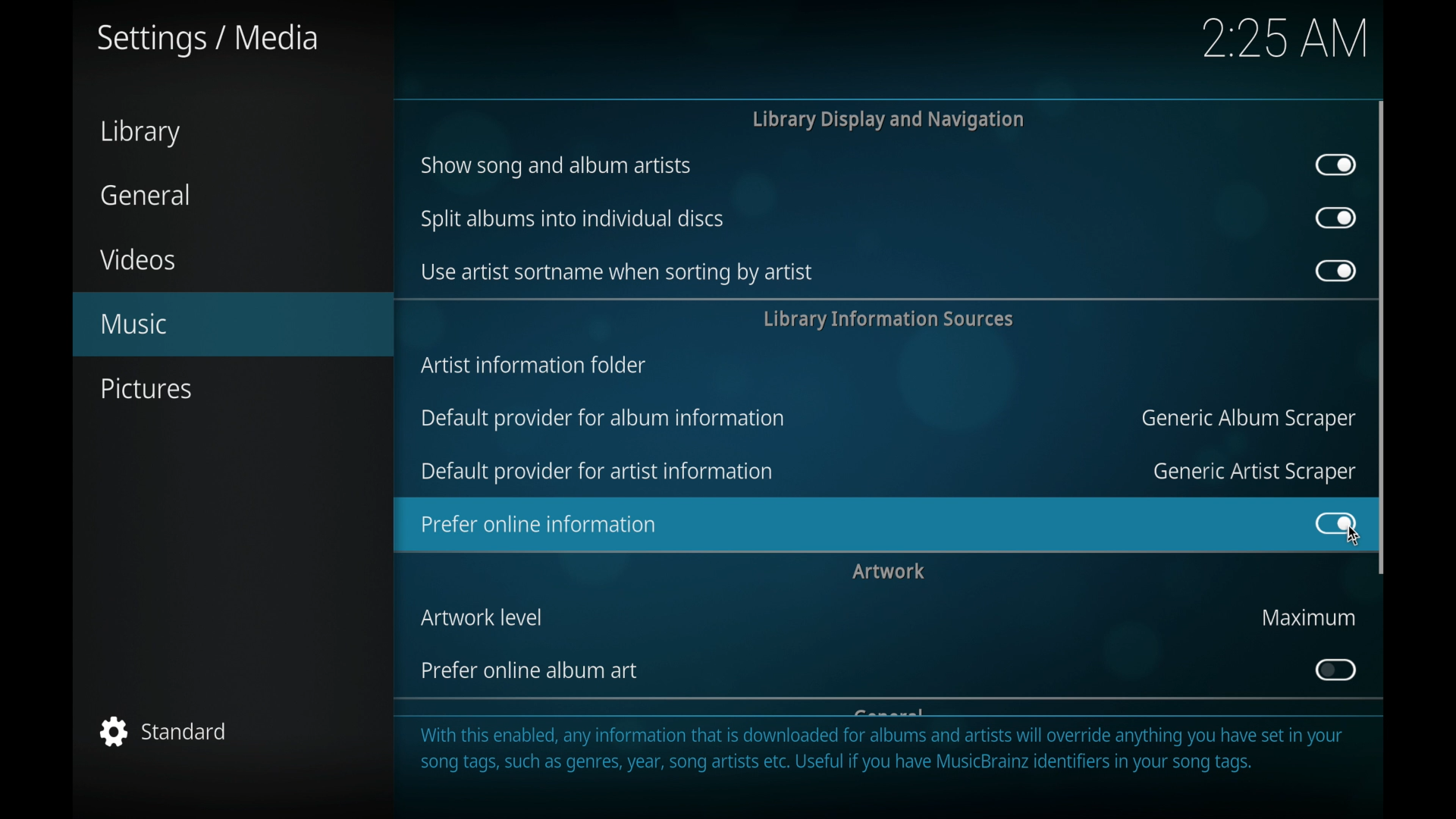  I want to click on library, so click(141, 132).